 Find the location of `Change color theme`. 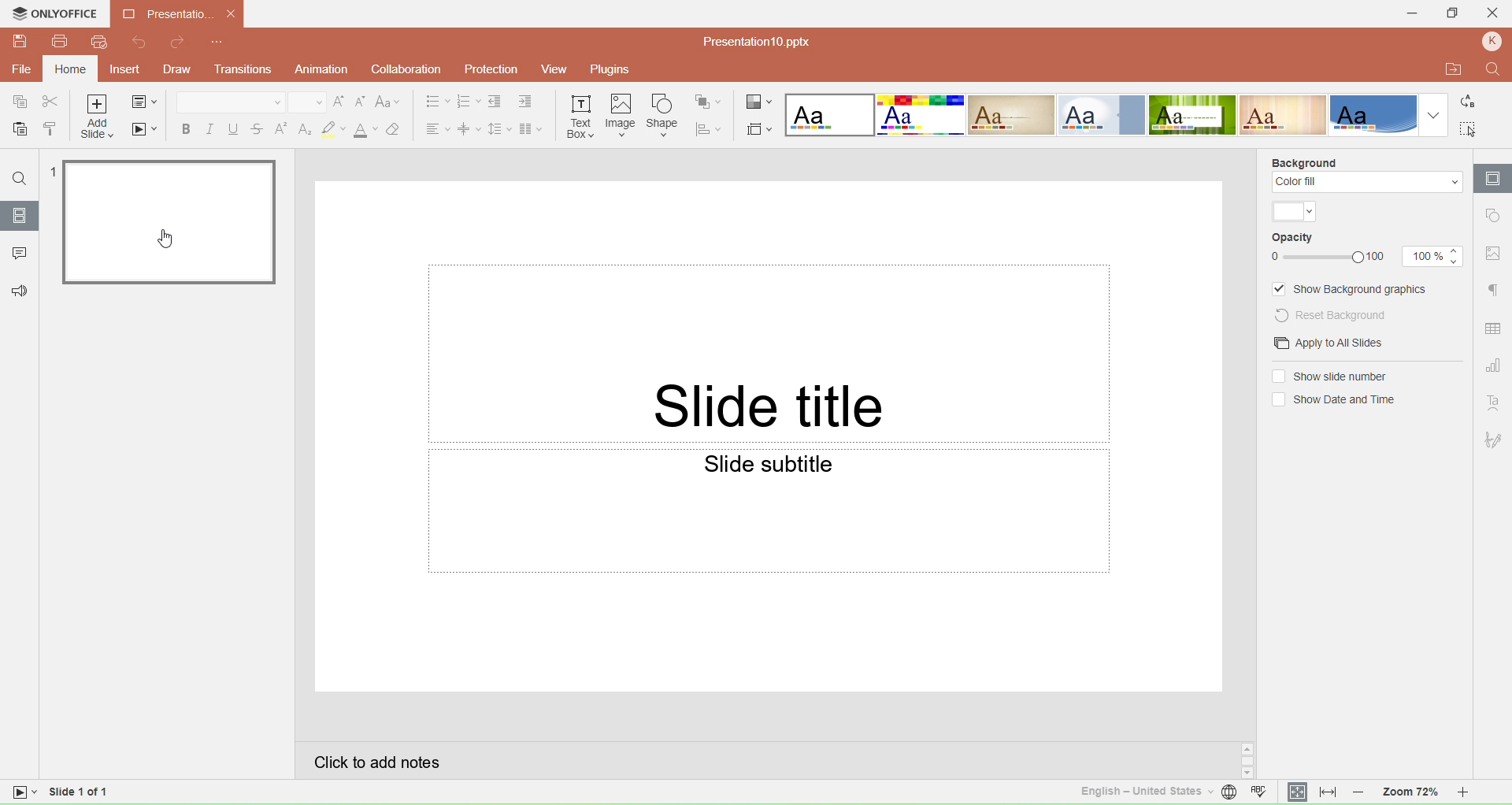

Change color theme is located at coordinates (759, 100).